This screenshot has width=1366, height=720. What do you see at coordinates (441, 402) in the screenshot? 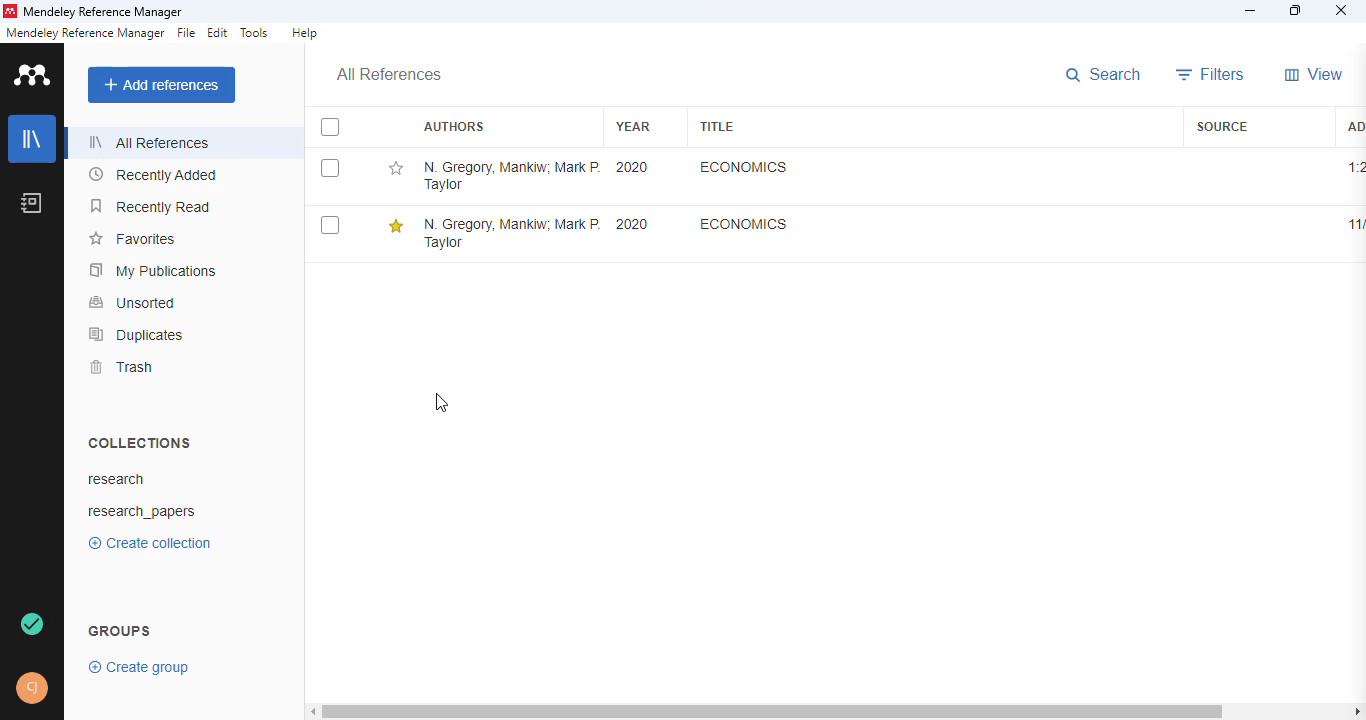
I see `cursor` at bounding box center [441, 402].